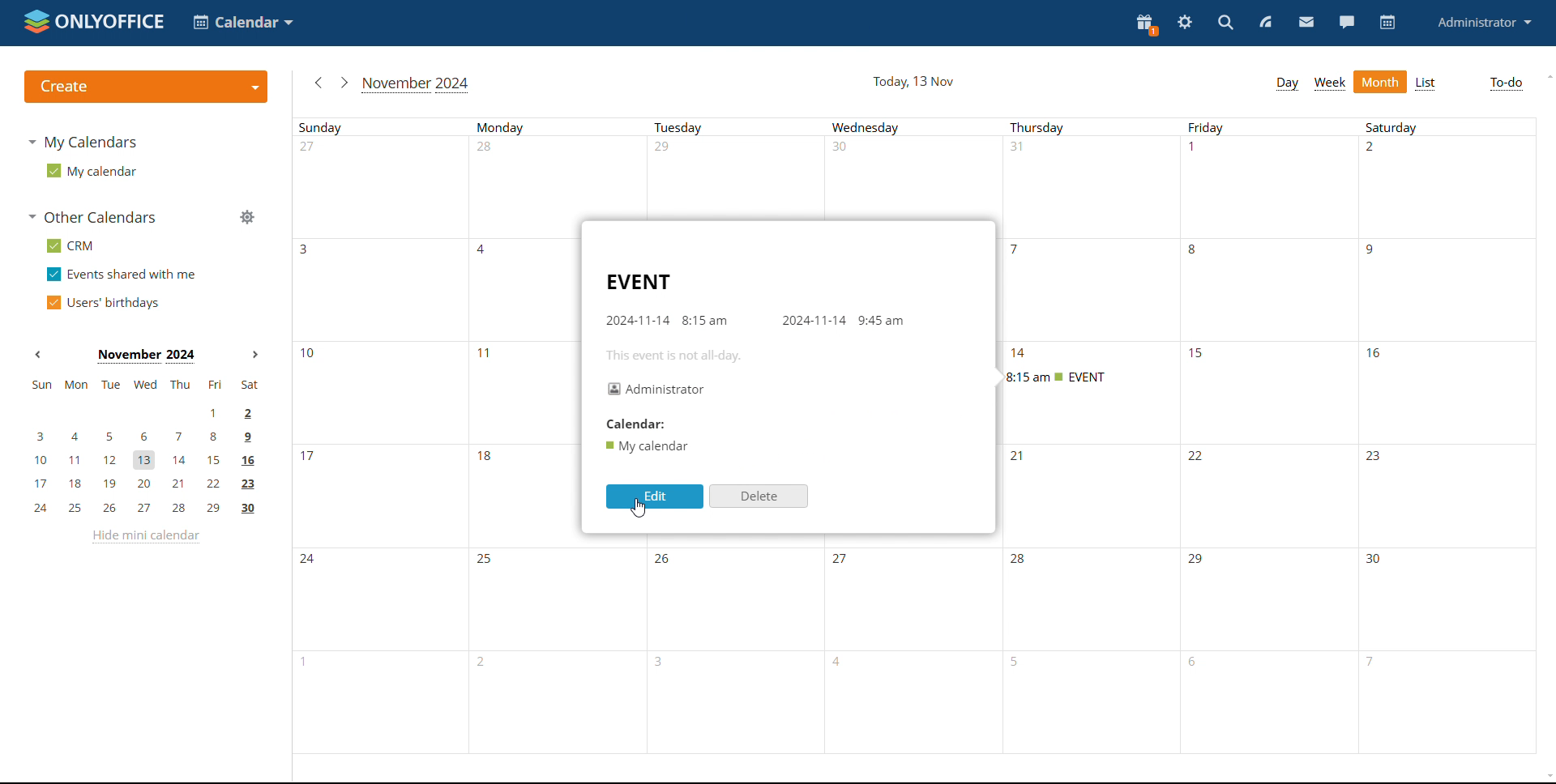 The height and width of the screenshot is (784, 1556). I want to click on unallocated time slots, so click(925, 684).